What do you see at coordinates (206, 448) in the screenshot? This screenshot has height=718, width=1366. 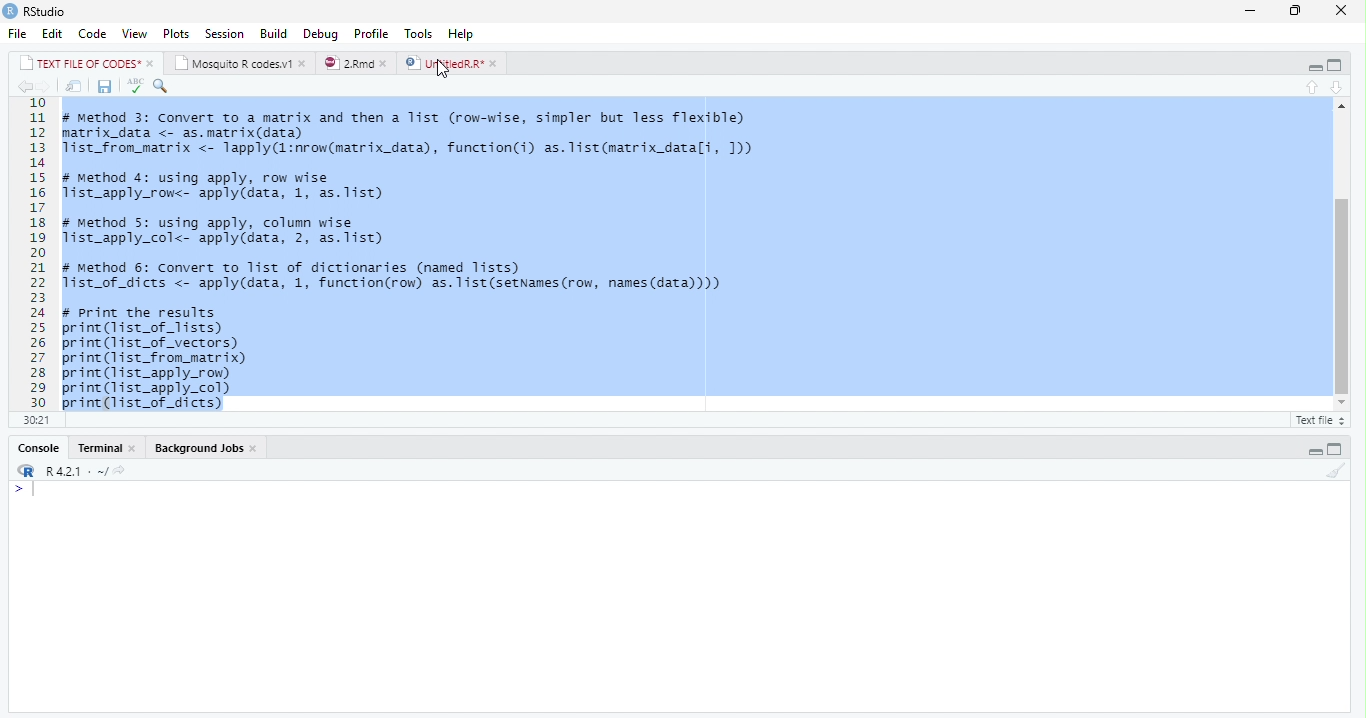 I see `Background Jobs` at bounding box center [206, 448].